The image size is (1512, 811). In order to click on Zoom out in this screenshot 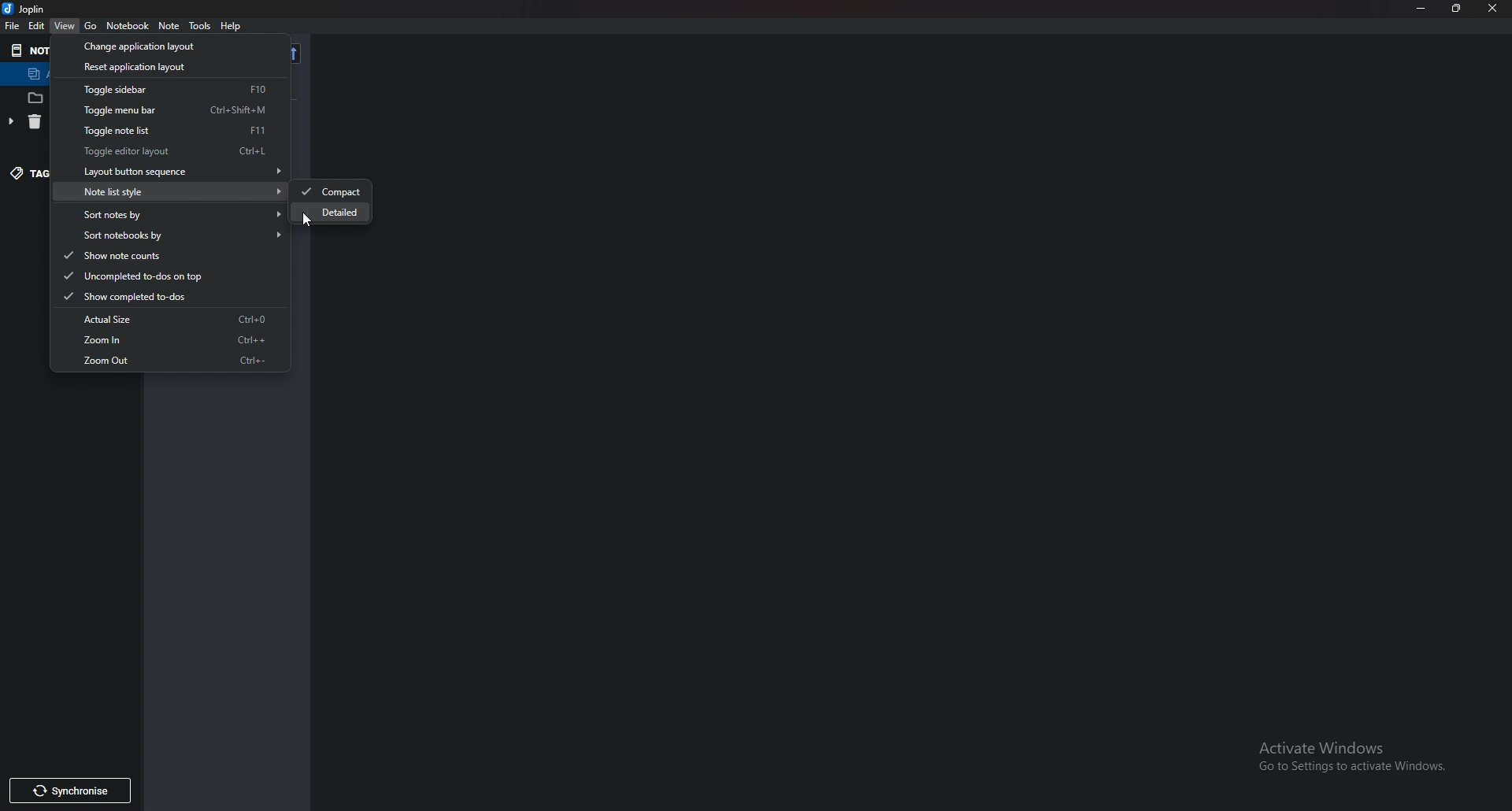, I will do `click(169, 361)`.